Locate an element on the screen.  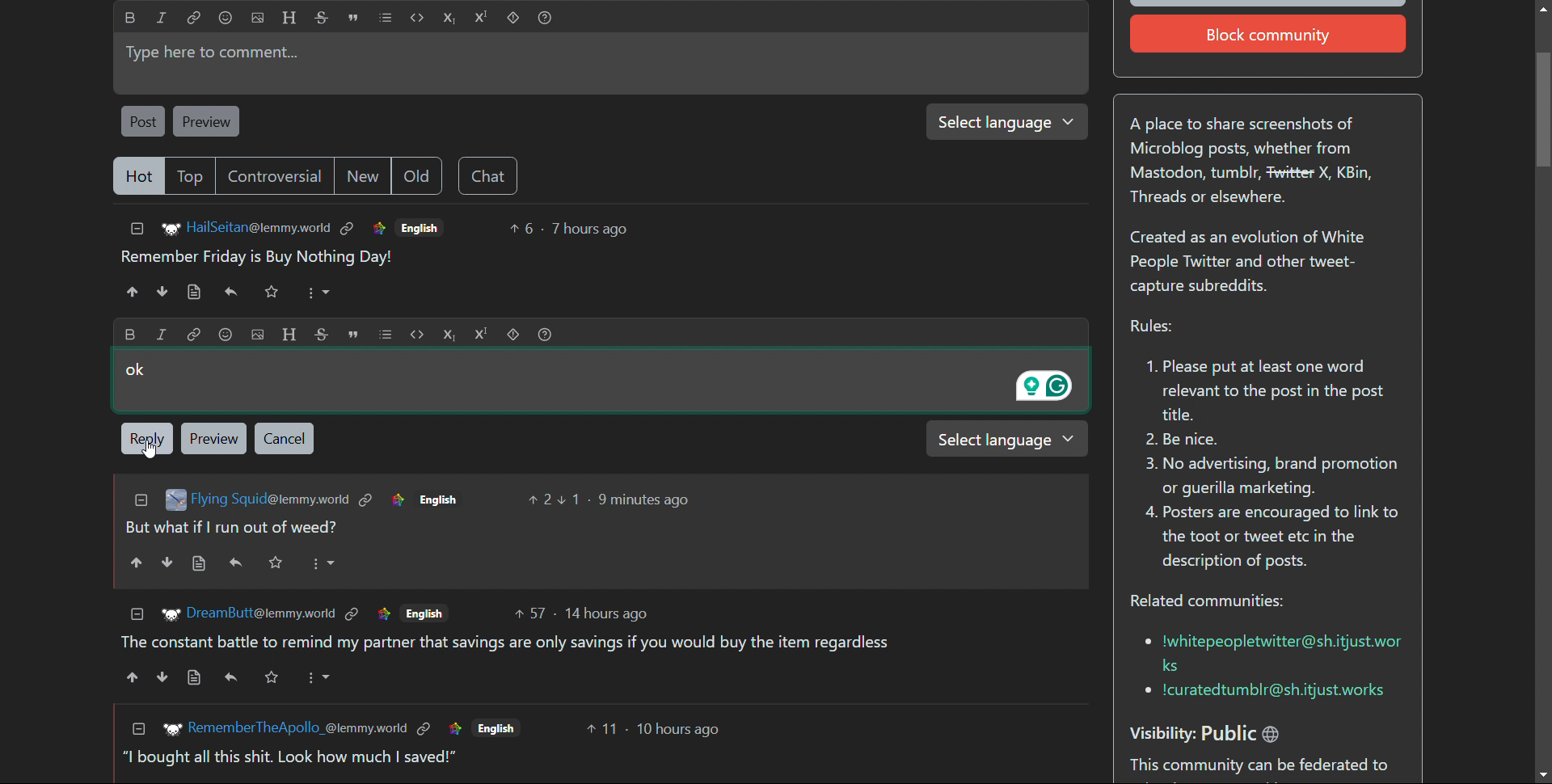
Favorite is located at coordinates (273, 291).